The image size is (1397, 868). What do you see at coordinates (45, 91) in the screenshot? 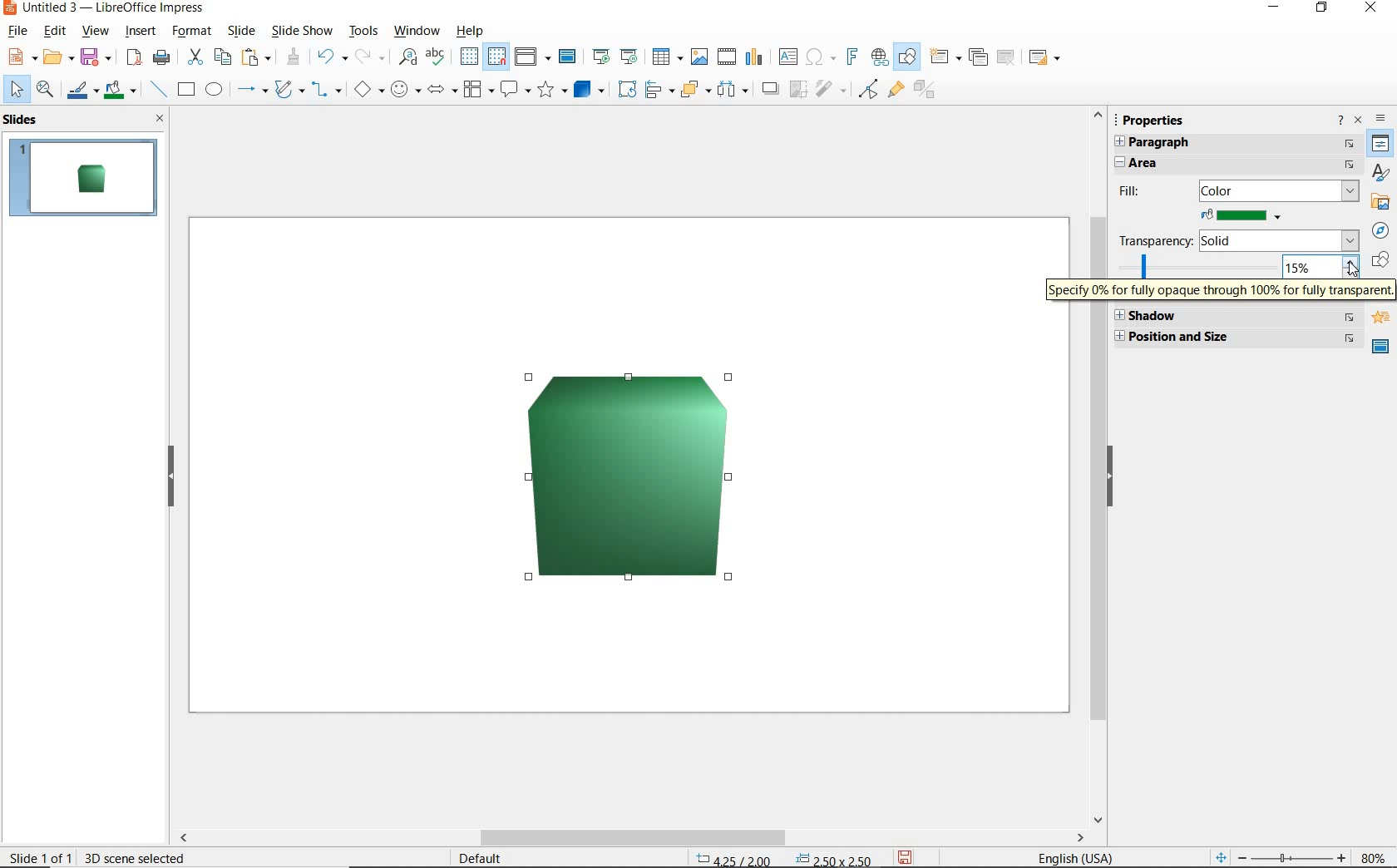
I see `zoom & pan` at bounding box center [45, 91].